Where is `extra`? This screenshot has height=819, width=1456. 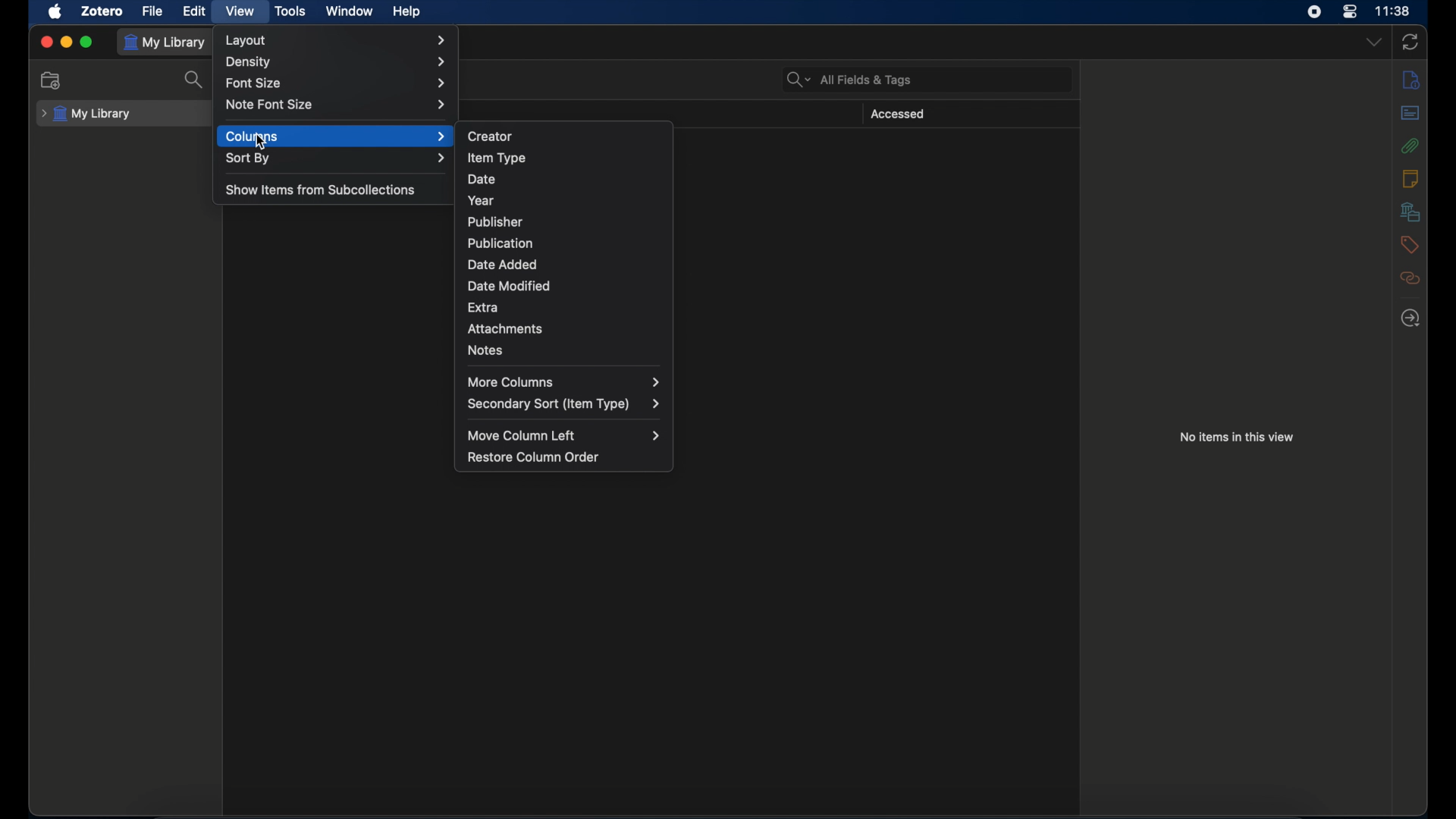 extra is located at coordinates (482, 306).